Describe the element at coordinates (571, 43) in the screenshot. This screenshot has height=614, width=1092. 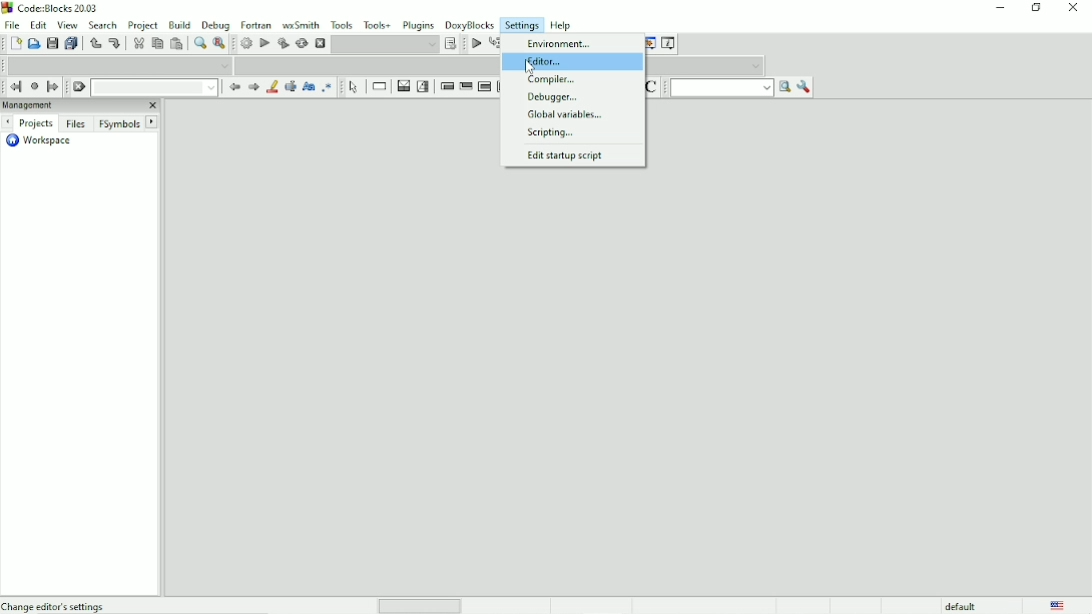
I see `Environment` at that location.